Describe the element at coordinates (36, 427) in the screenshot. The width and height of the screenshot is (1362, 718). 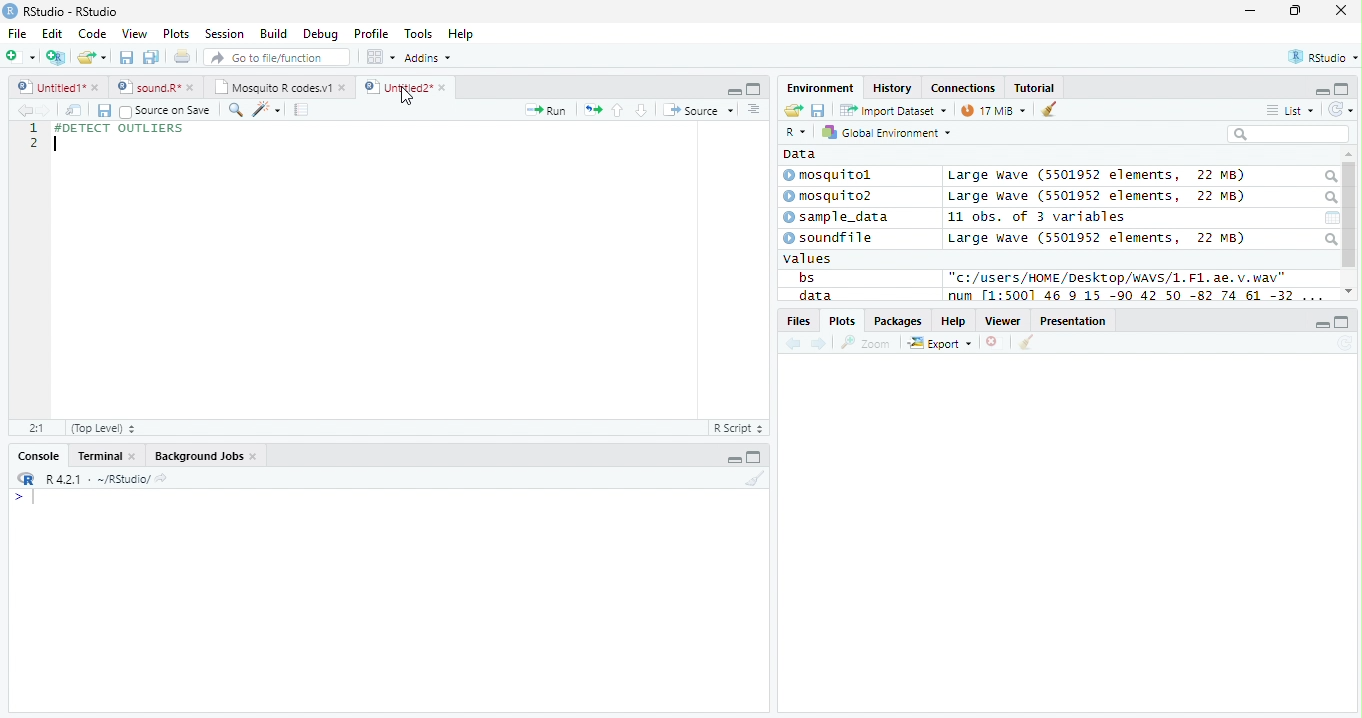
I see `2:1` at that location.